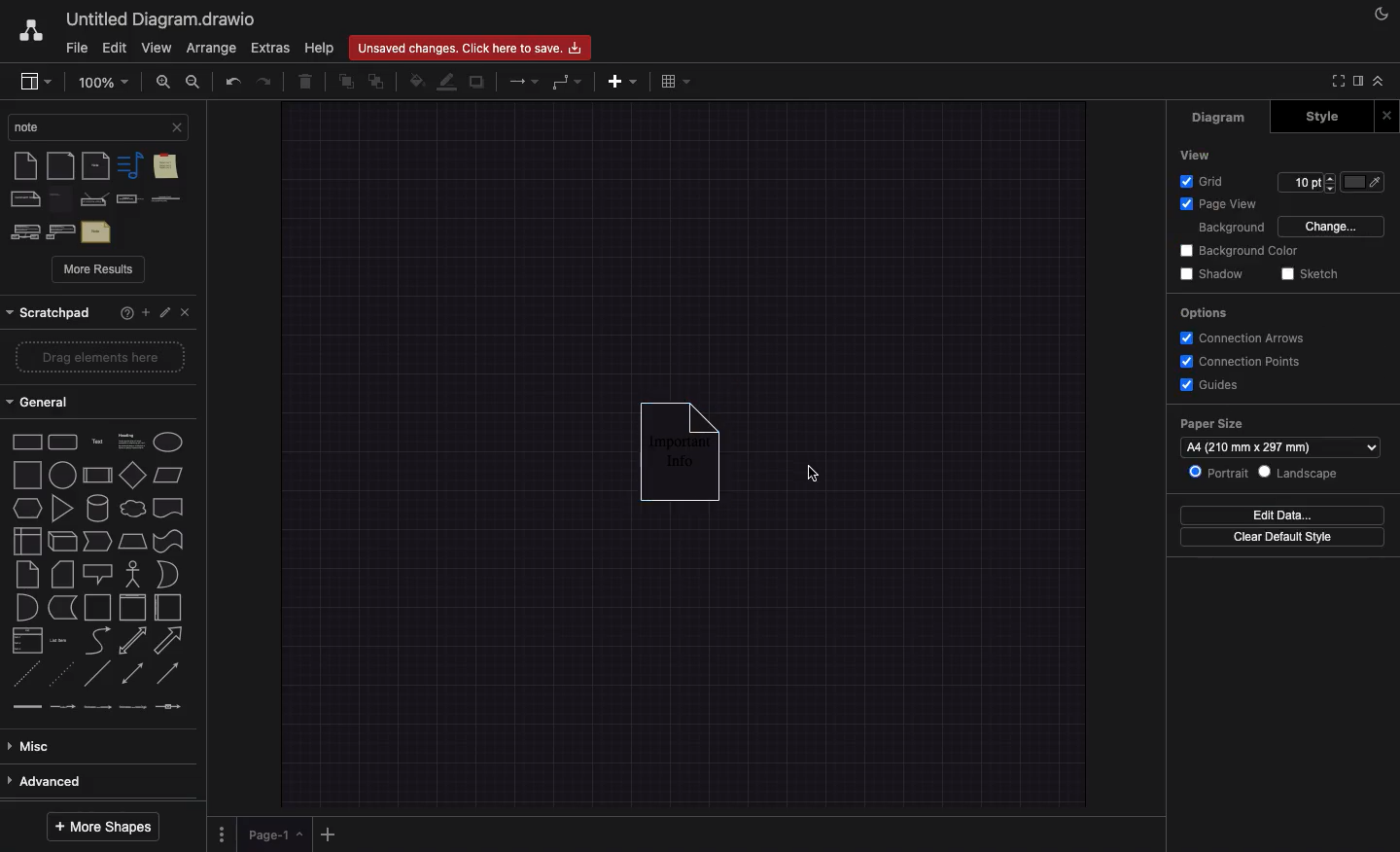  Describe the element at coordinates (99, 542) in the screenshot. I see `step` at that location.